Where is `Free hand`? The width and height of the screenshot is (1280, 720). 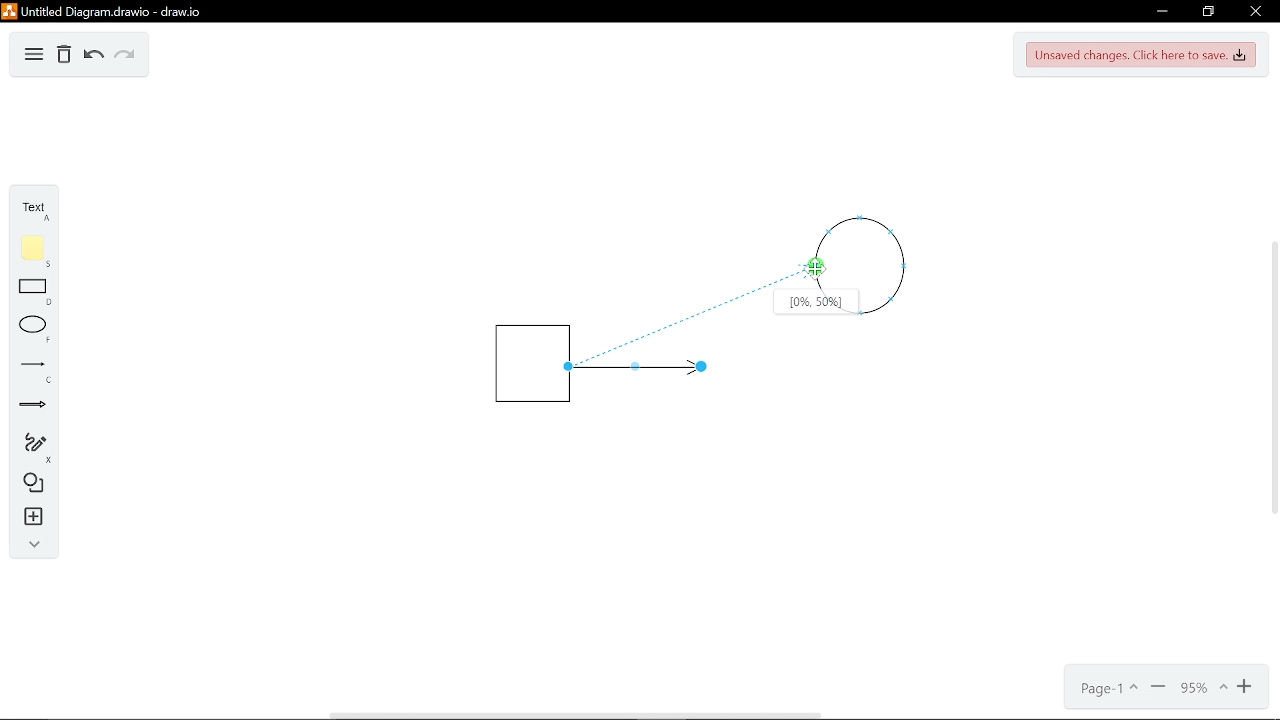
Free hand is located at coordinates (27, 446).